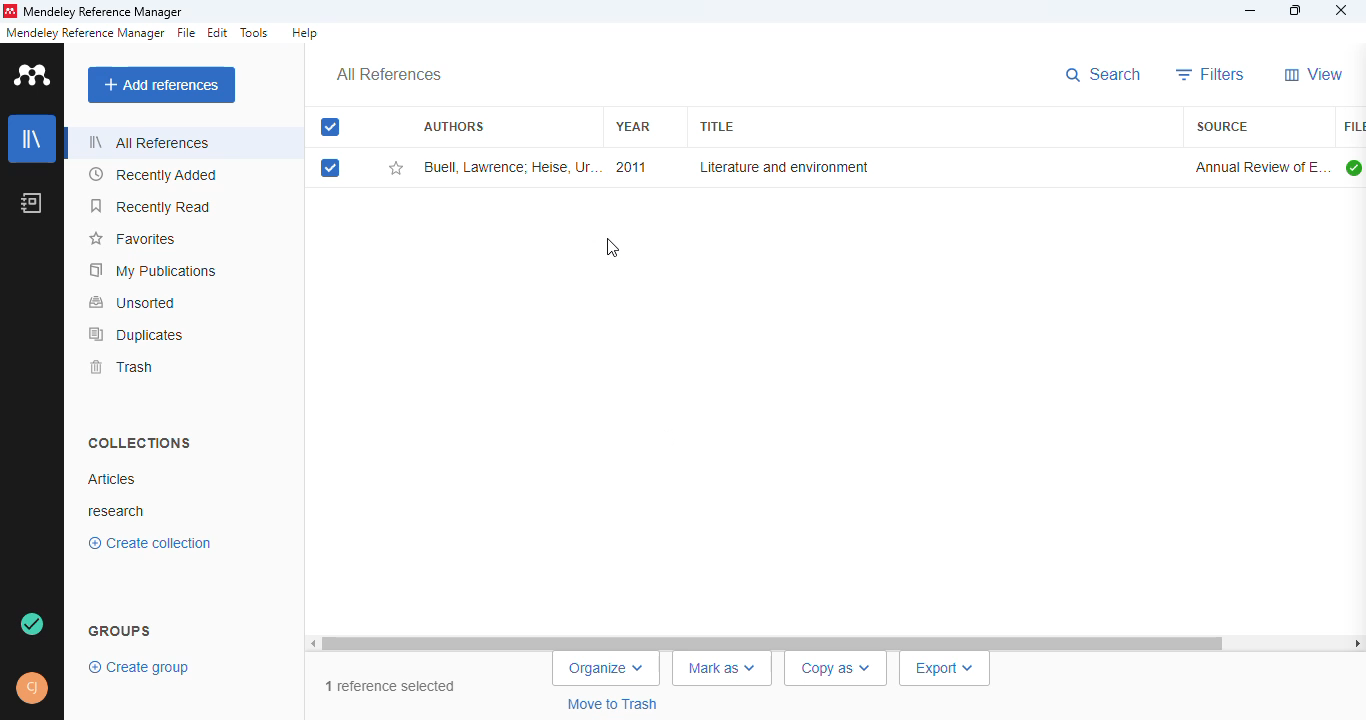 Image resolution: width=1366 pixels, height=720 pixels. Describe the element at coordinates (607, 669) in the screenshot. I see `organize` at that location.